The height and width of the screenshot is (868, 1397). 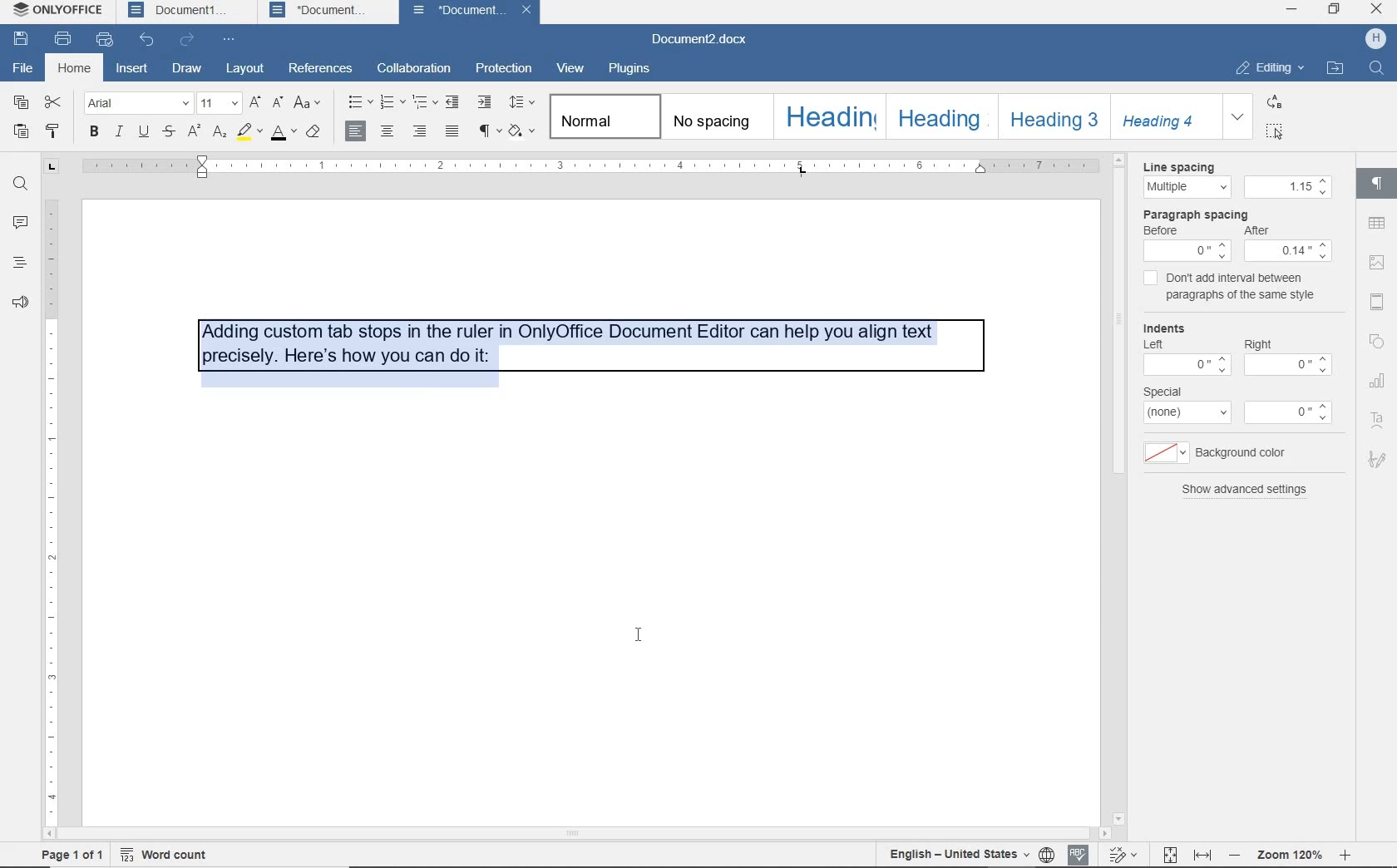 What do you see at coordinates (1158, 345) in the screenshot?
I see `Left` at bounding box center [1158, 345].